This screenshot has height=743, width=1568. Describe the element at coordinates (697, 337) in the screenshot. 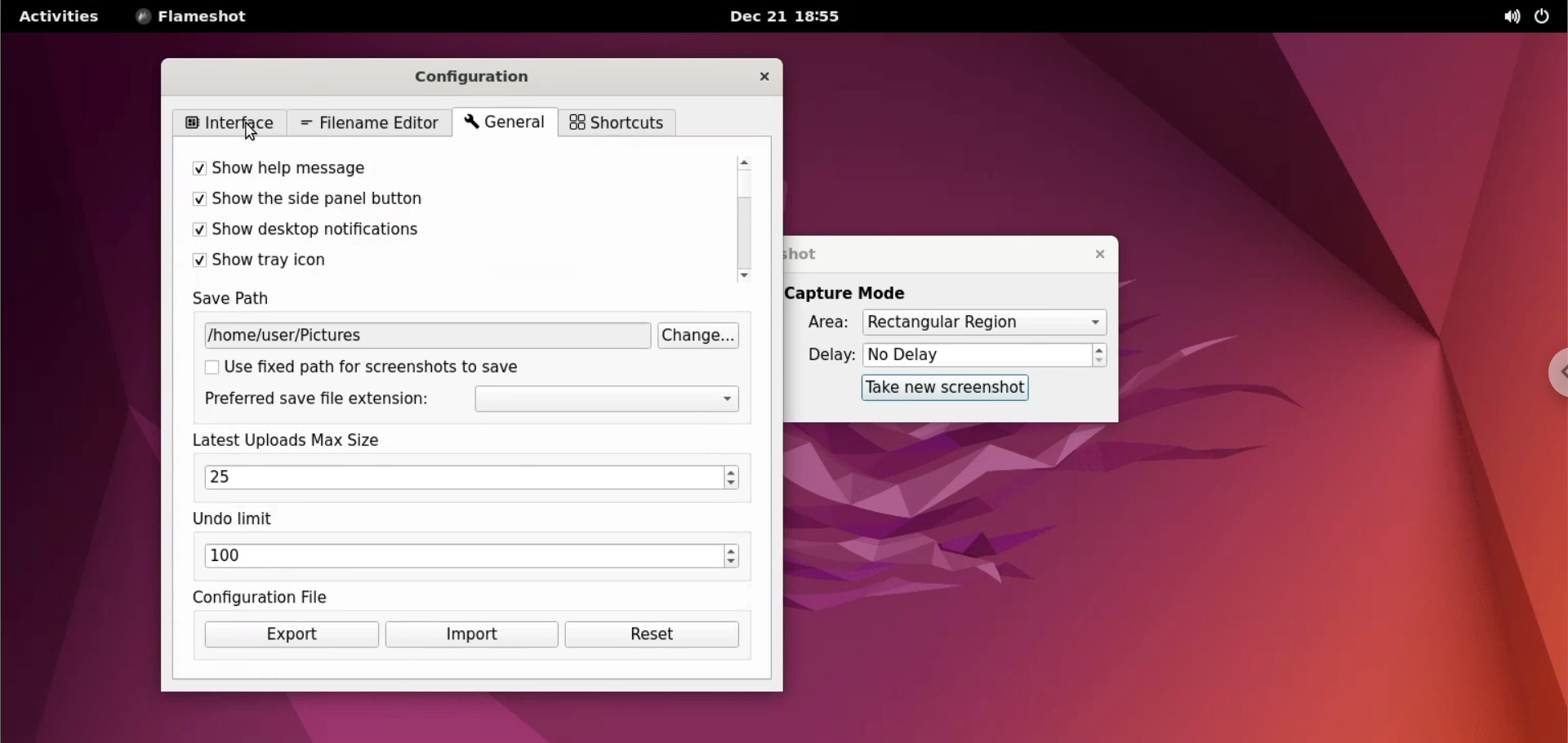

I see `change` at that location.